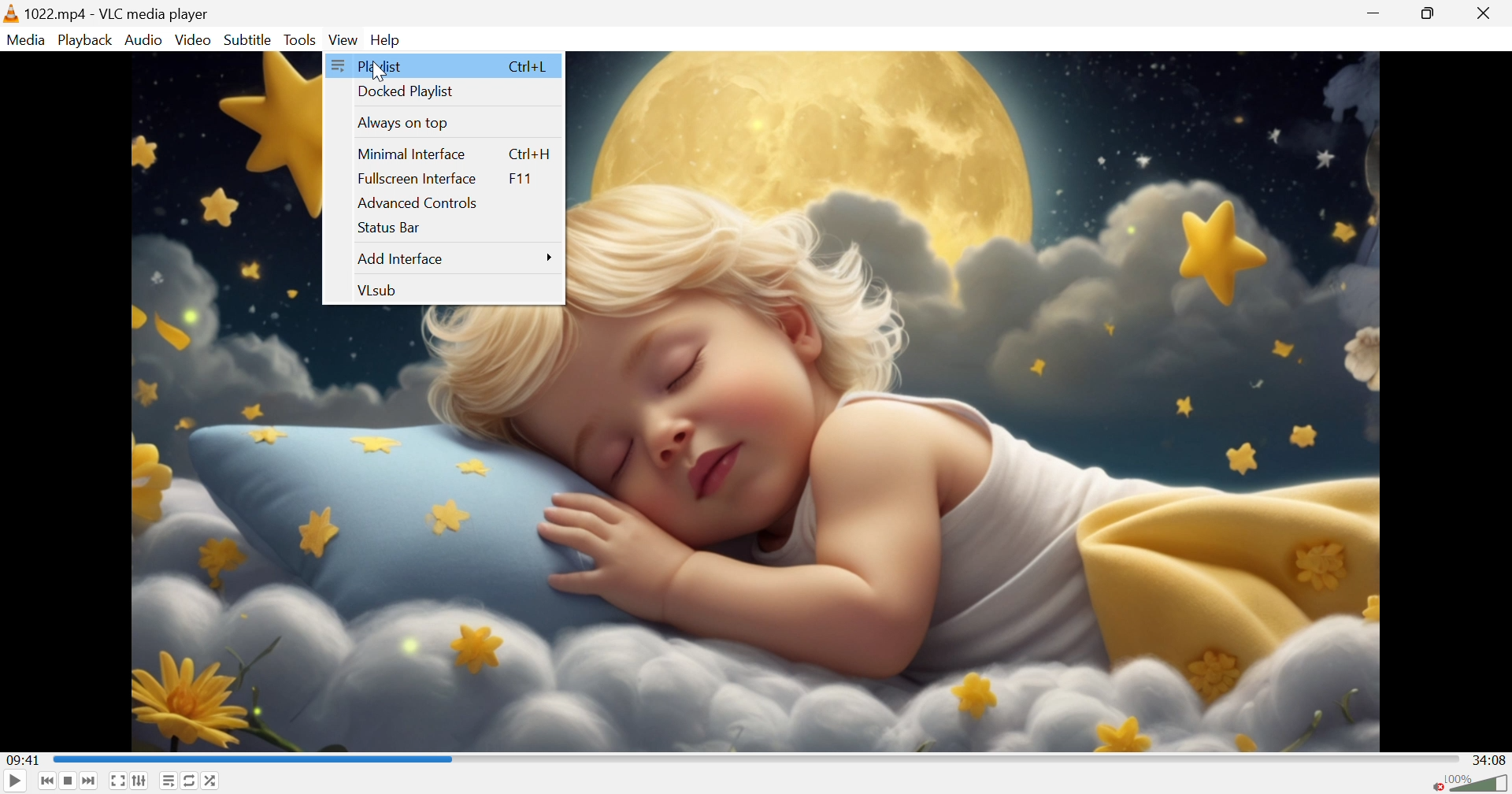 The image size is (1512, 794). I want to click on Video, so click(346, 41).